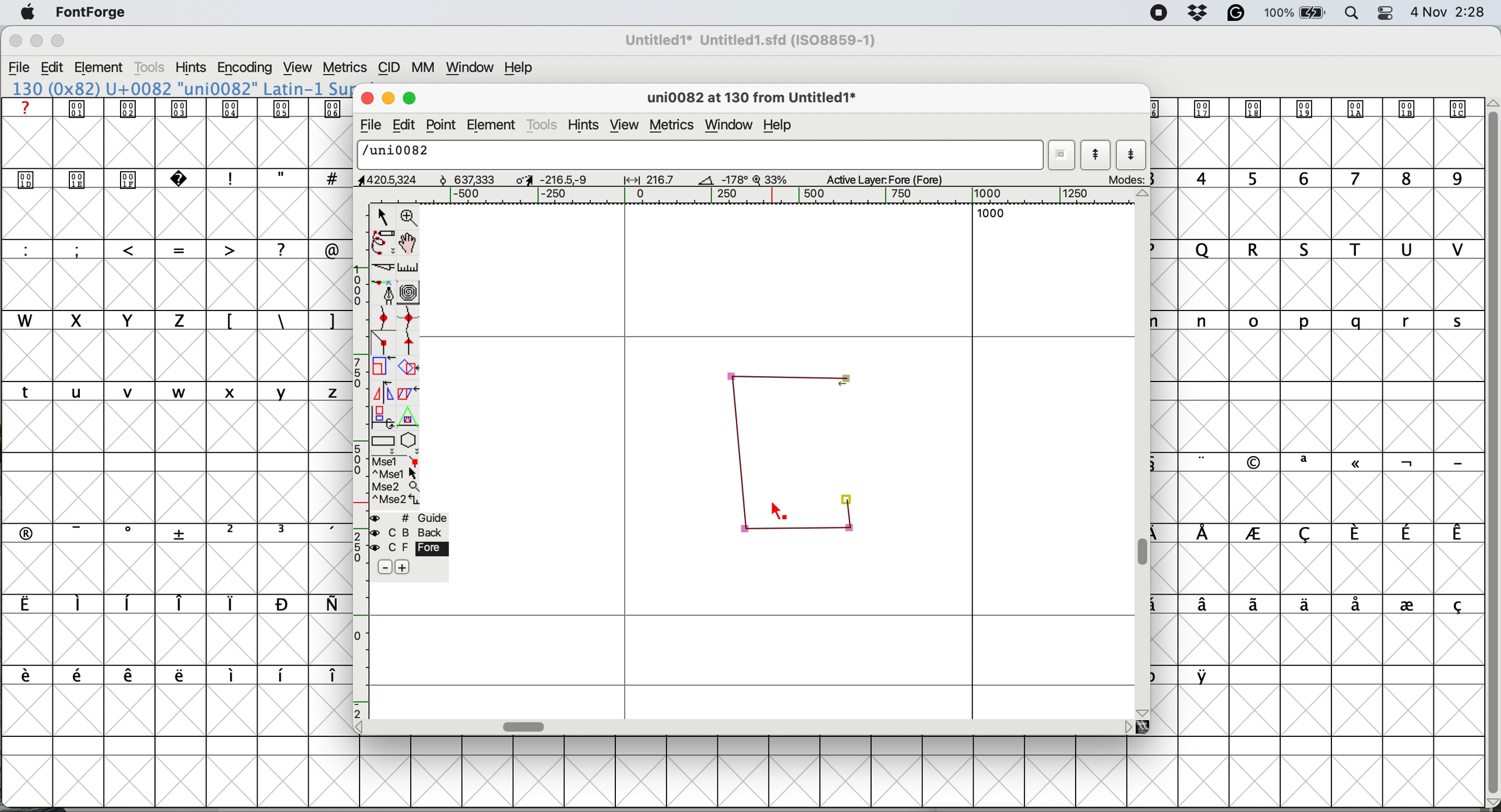  Describe the element at coordinates (401, 567) in the screenshot. I see `add` at that location.